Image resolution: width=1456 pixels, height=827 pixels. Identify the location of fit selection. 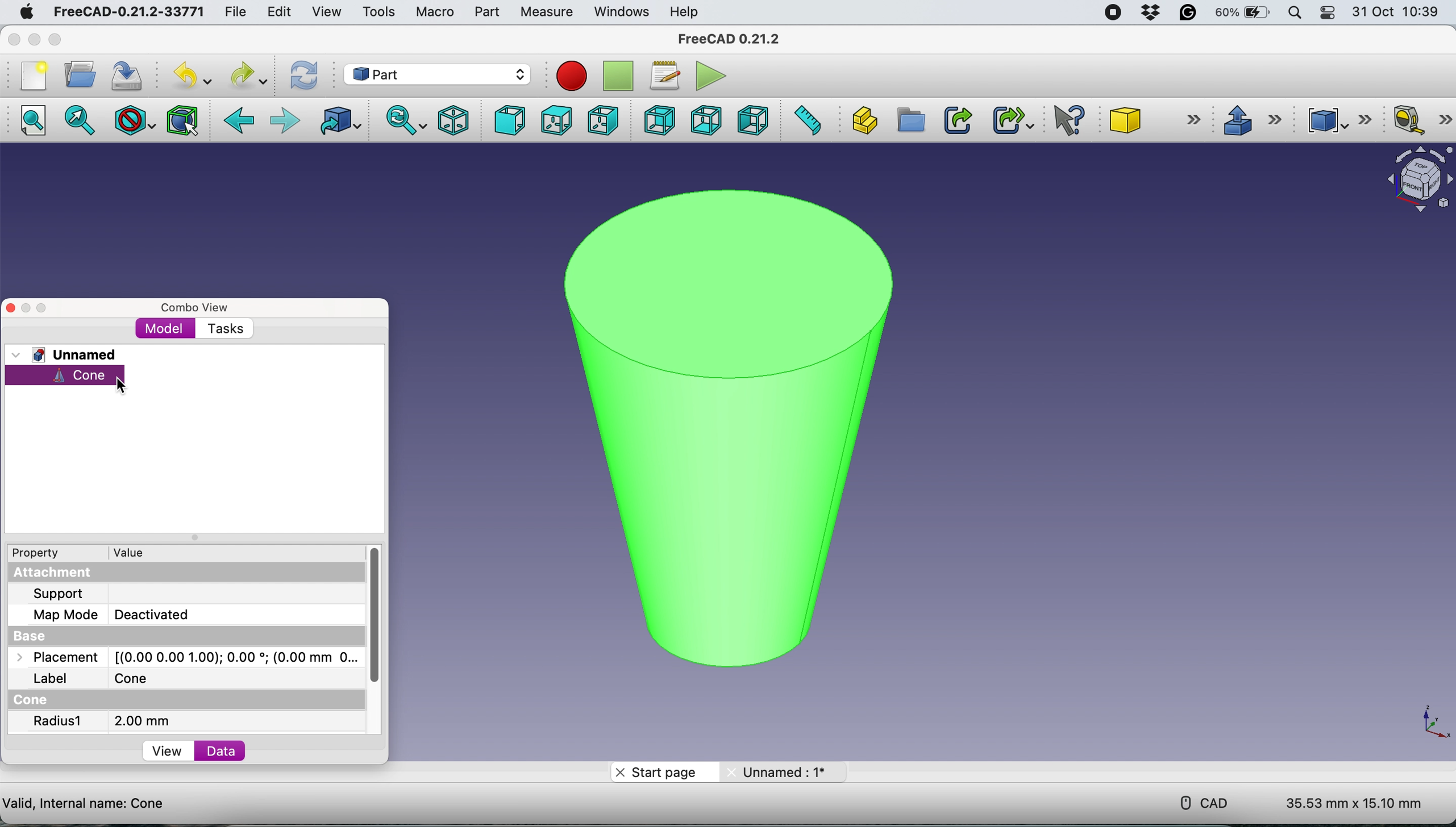
(83, 121).